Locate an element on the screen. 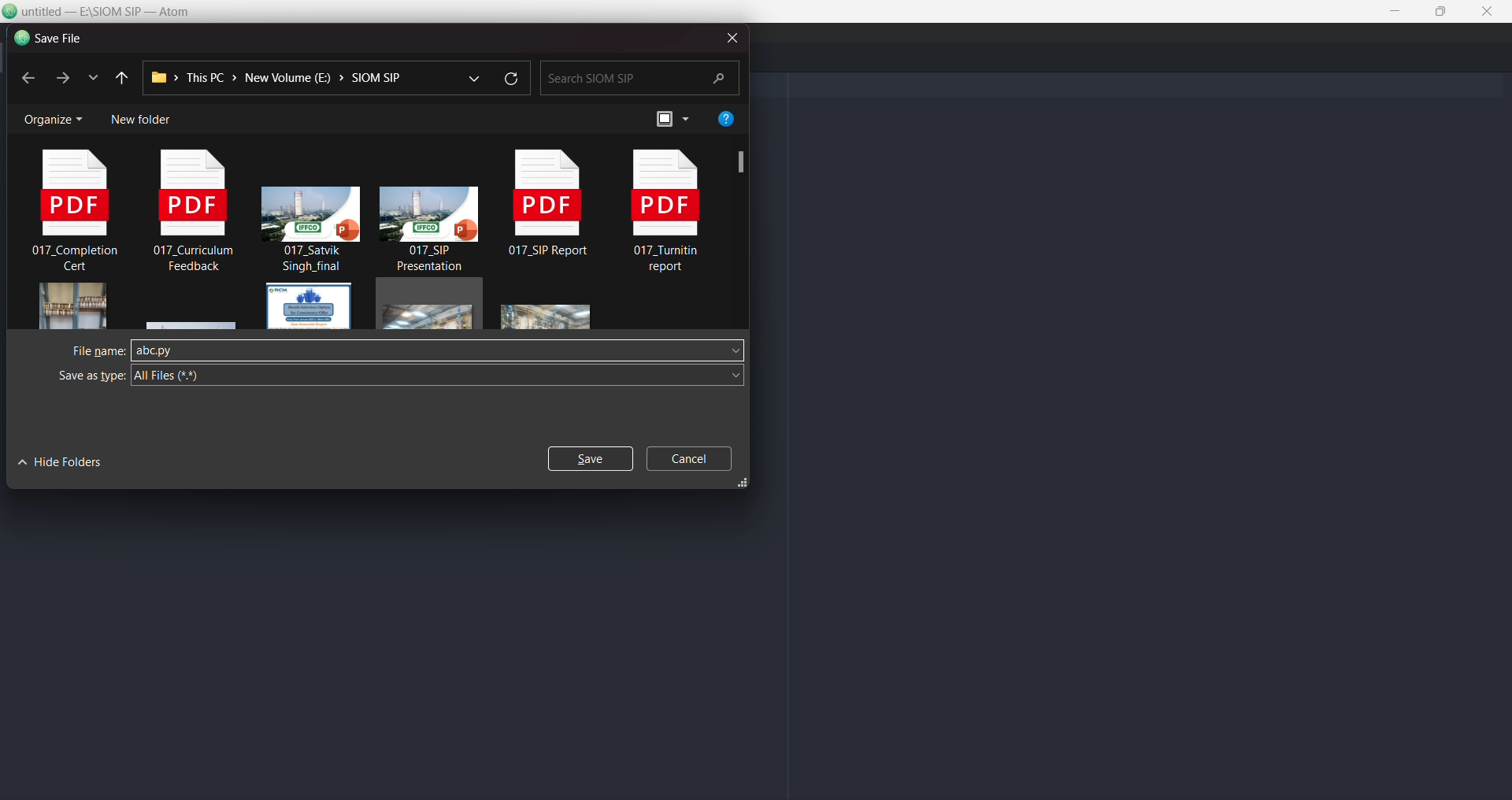 The image size is (1512, 800). pdf file is located at coordinates (547, 208).